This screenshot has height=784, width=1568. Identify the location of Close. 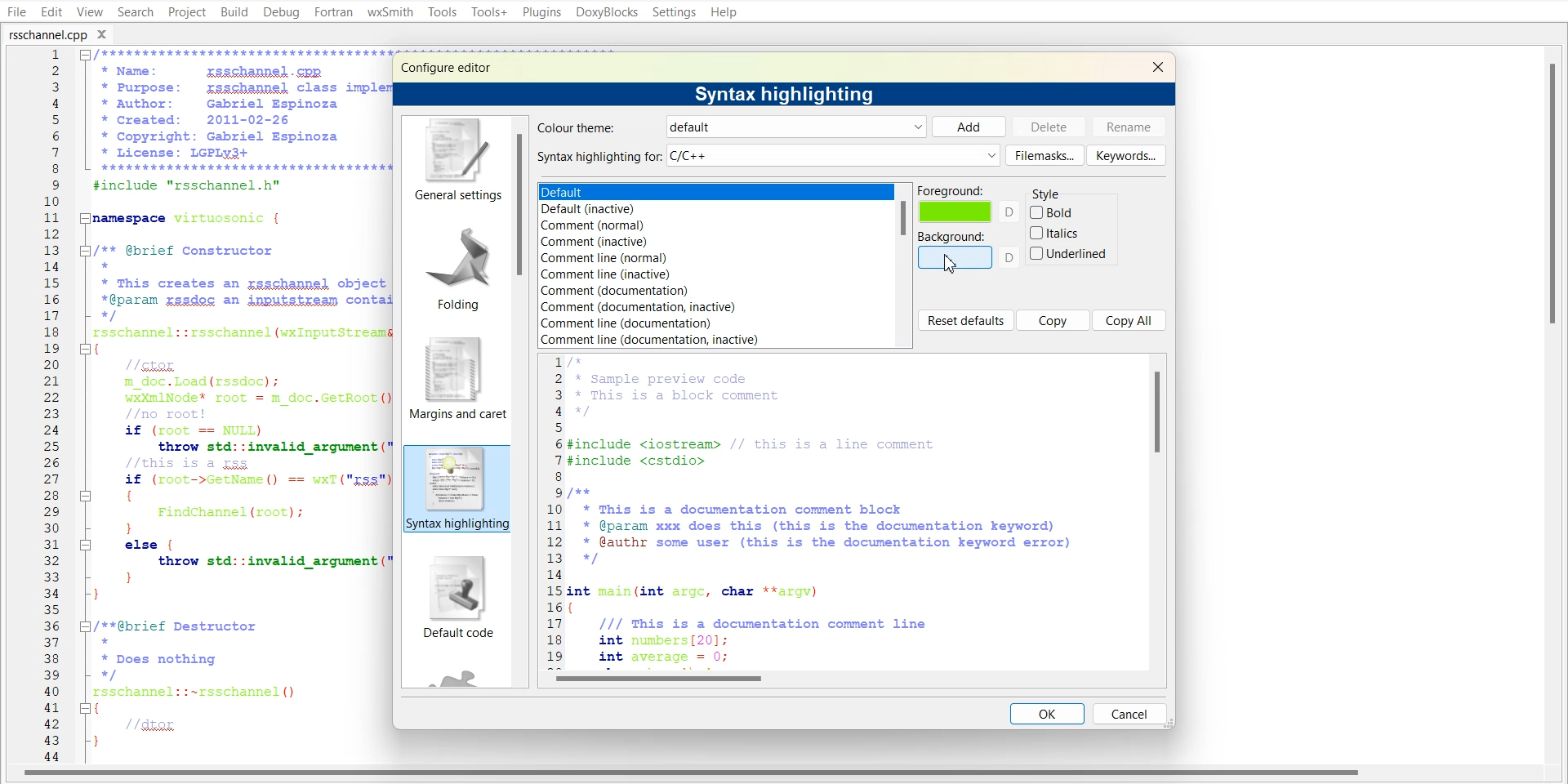
(107, 33).